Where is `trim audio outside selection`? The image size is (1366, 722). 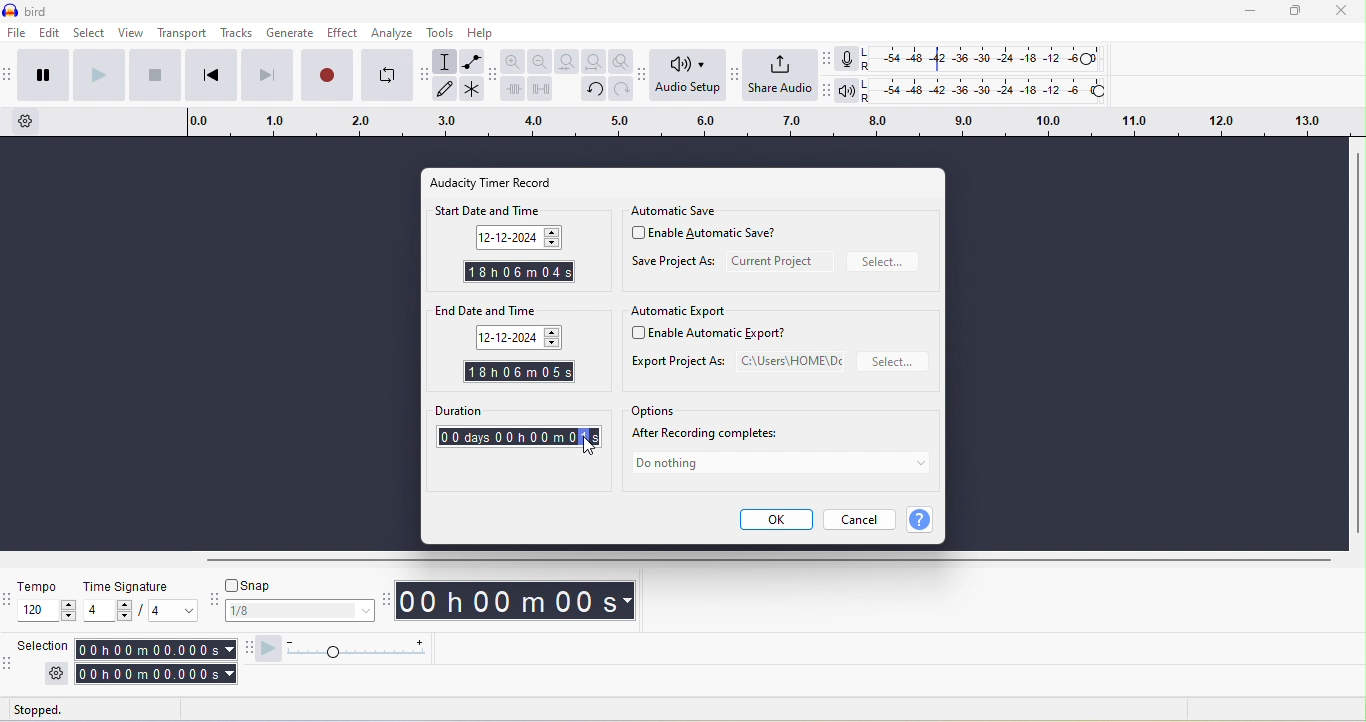 trim audio outside selection is located at coordinates (514, 91).